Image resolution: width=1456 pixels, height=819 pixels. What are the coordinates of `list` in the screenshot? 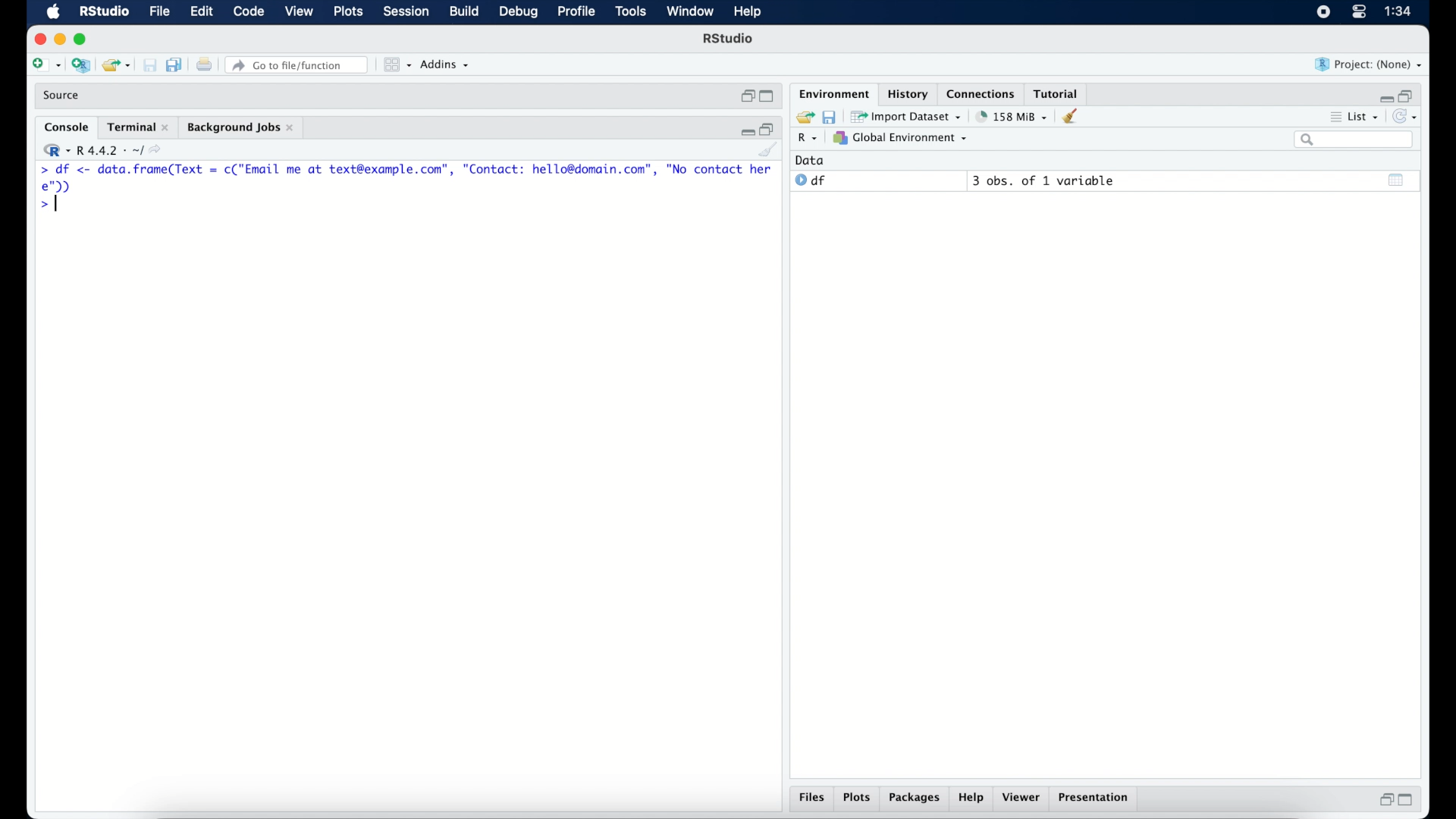 It's located at (1359, 117).